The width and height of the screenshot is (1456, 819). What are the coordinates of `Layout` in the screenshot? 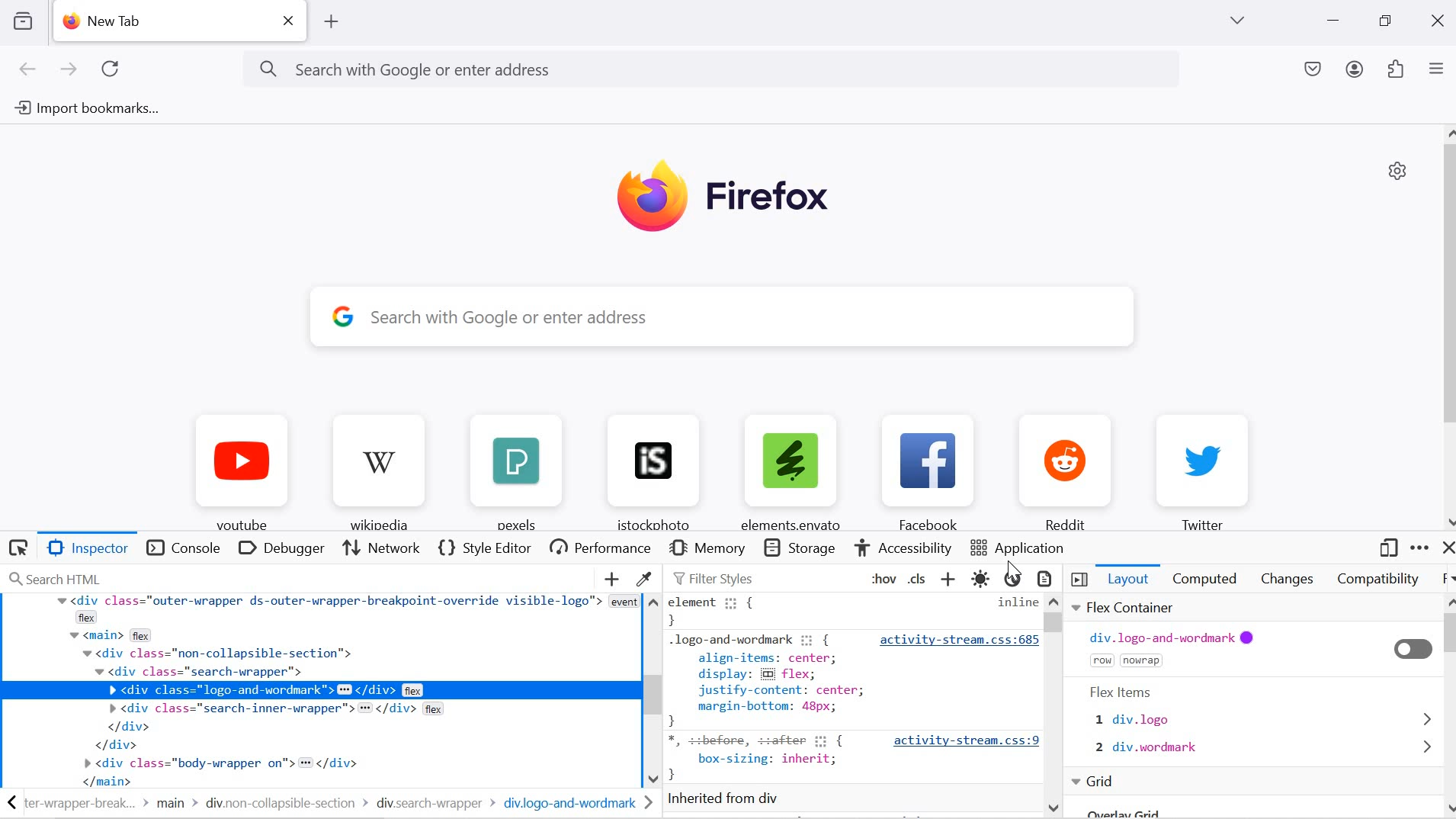 It's located at (1129, 579).